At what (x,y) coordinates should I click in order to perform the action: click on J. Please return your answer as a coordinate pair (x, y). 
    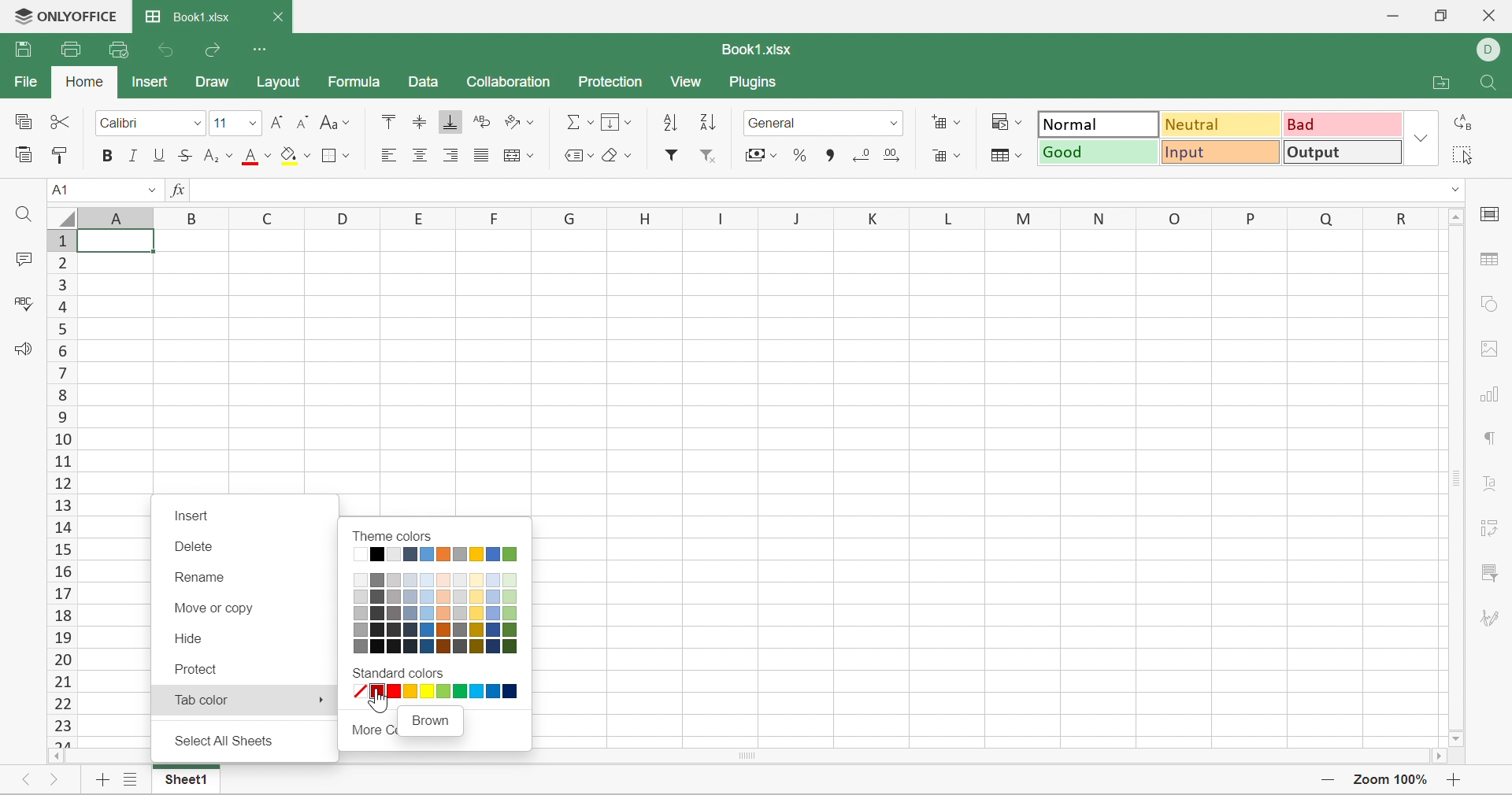
    Looking at the image, I should click on (793, 216).